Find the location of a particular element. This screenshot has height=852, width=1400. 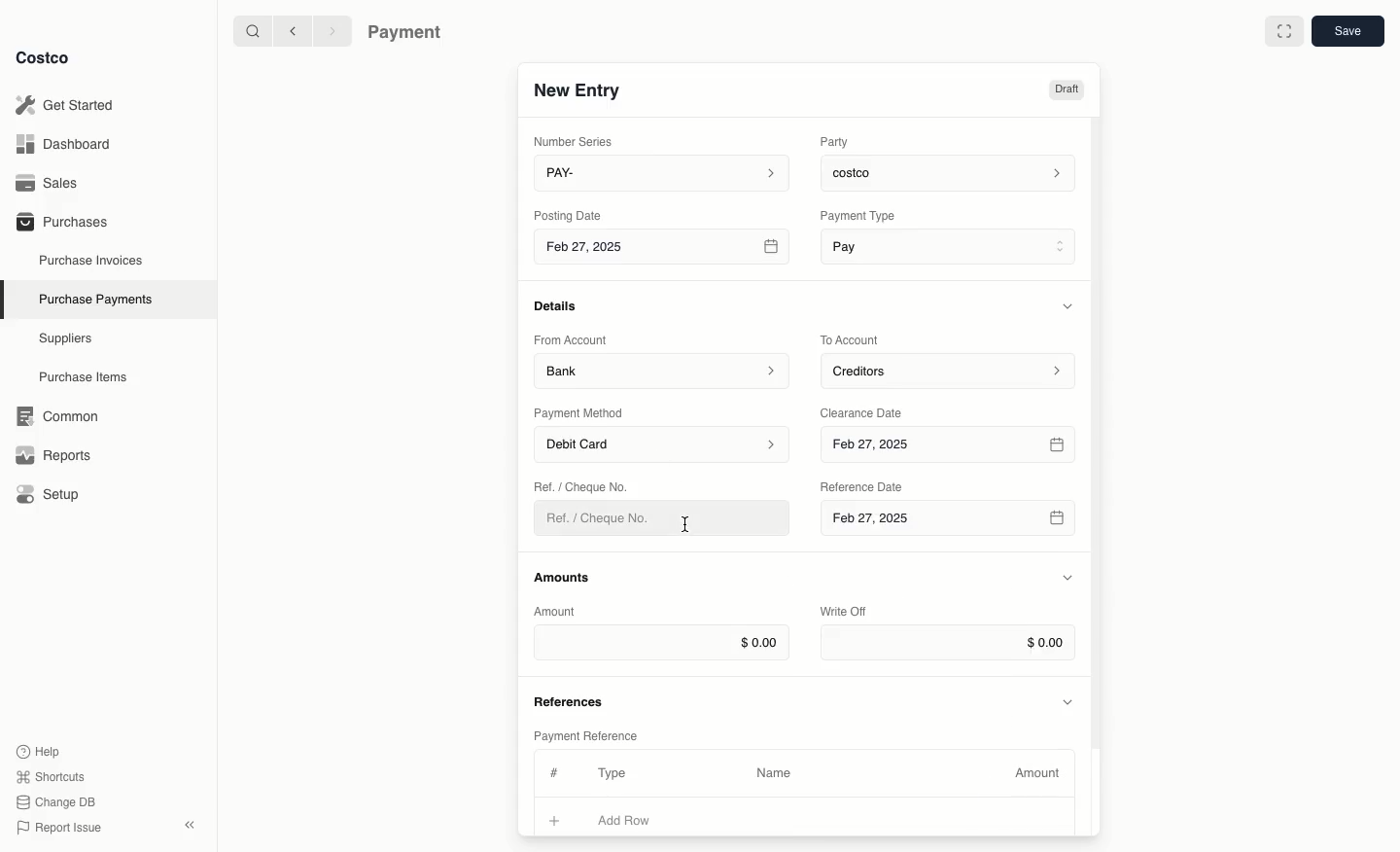

Change DB is located at coordinates (59, 802).